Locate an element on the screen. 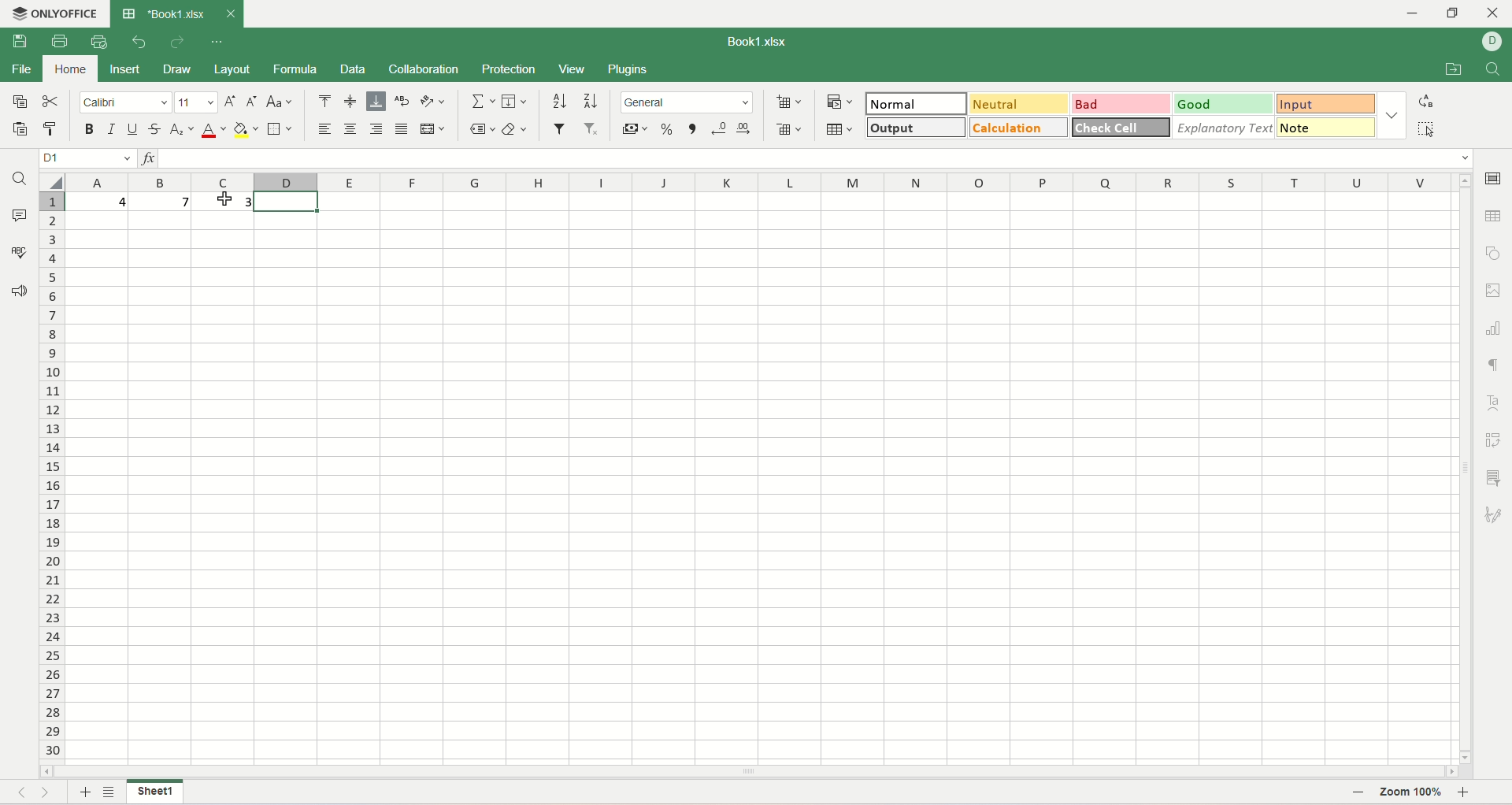 The image size is (1512, 805). increase decimal is located at coordinates (747, 128).